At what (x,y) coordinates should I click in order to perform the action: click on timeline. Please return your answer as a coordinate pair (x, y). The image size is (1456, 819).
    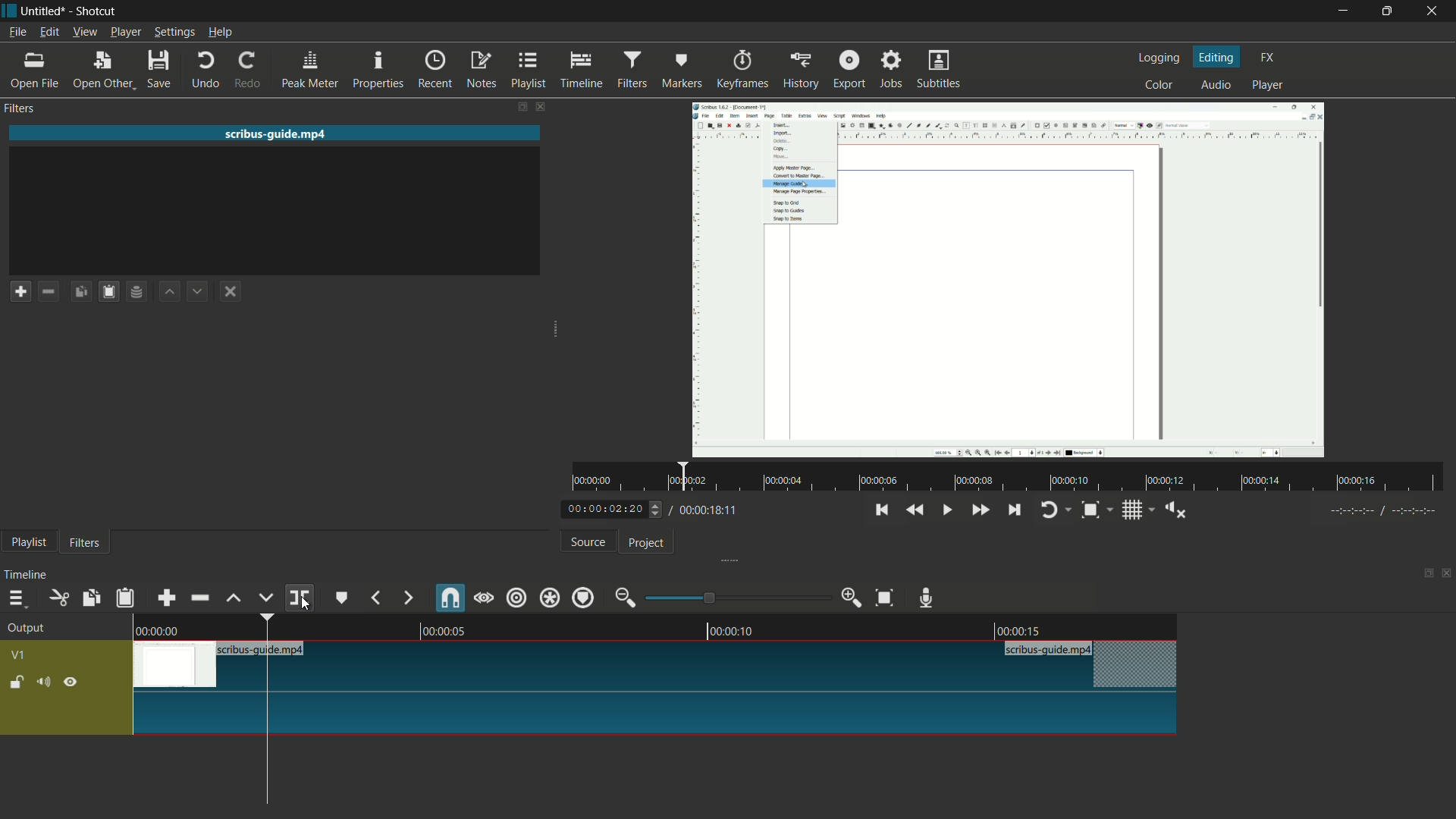
    Looking at the image, I should click on (583, 70).